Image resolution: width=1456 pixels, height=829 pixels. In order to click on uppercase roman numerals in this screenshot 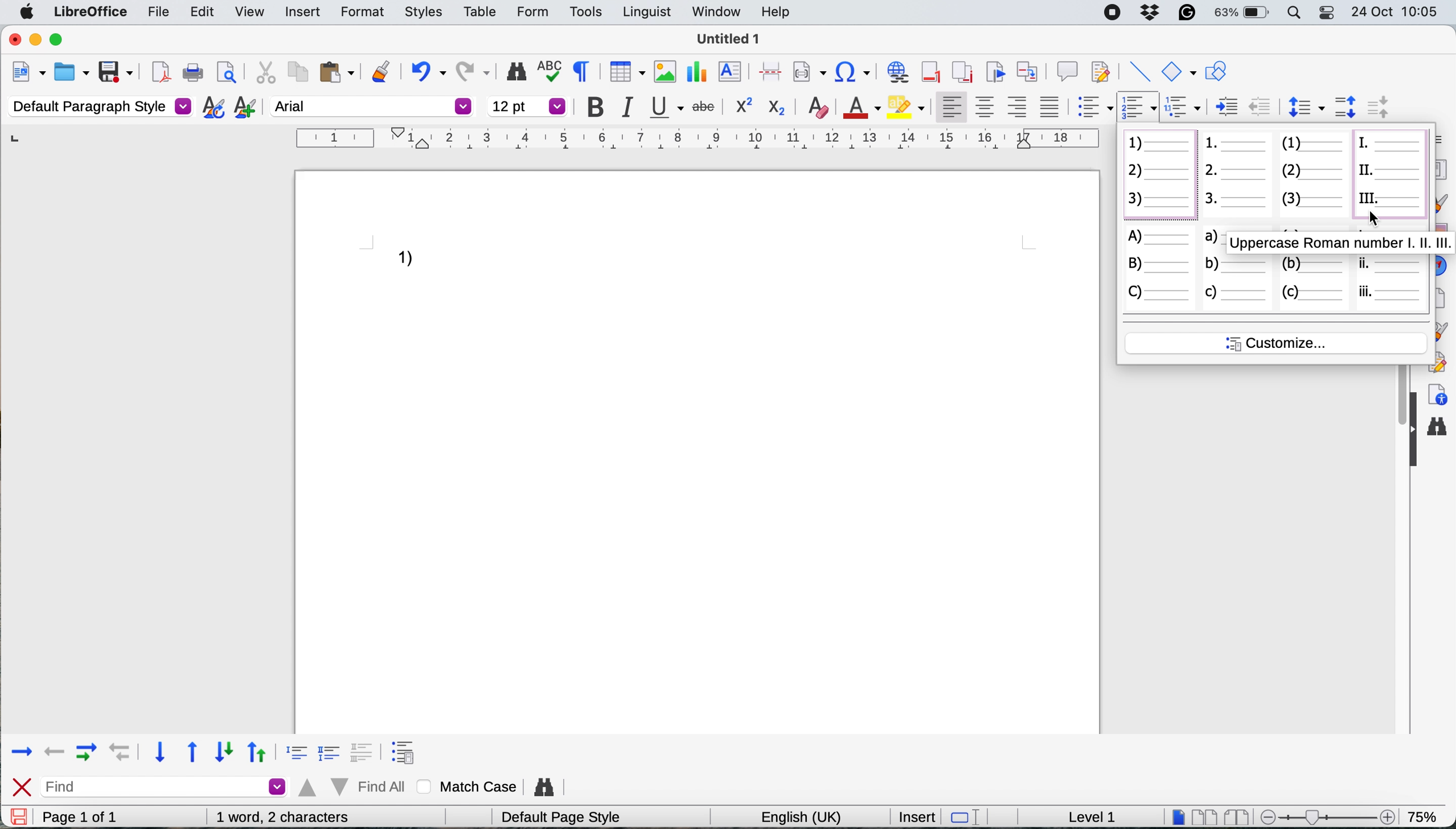, I will do `click(1392, 173)`.